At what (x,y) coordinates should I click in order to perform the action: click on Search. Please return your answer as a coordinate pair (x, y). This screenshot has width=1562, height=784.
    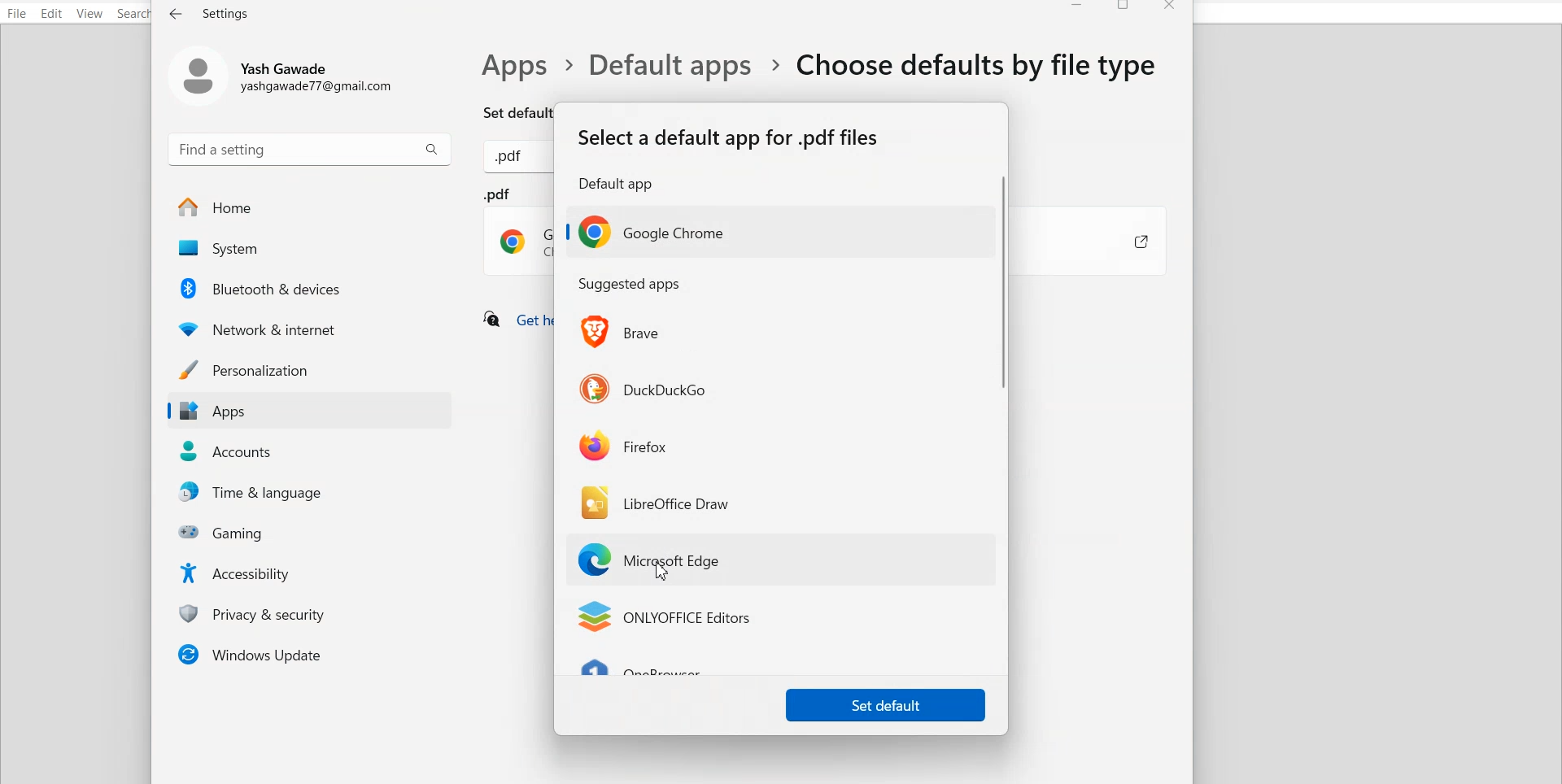
    Looking at the image, I should click on (135, 14).